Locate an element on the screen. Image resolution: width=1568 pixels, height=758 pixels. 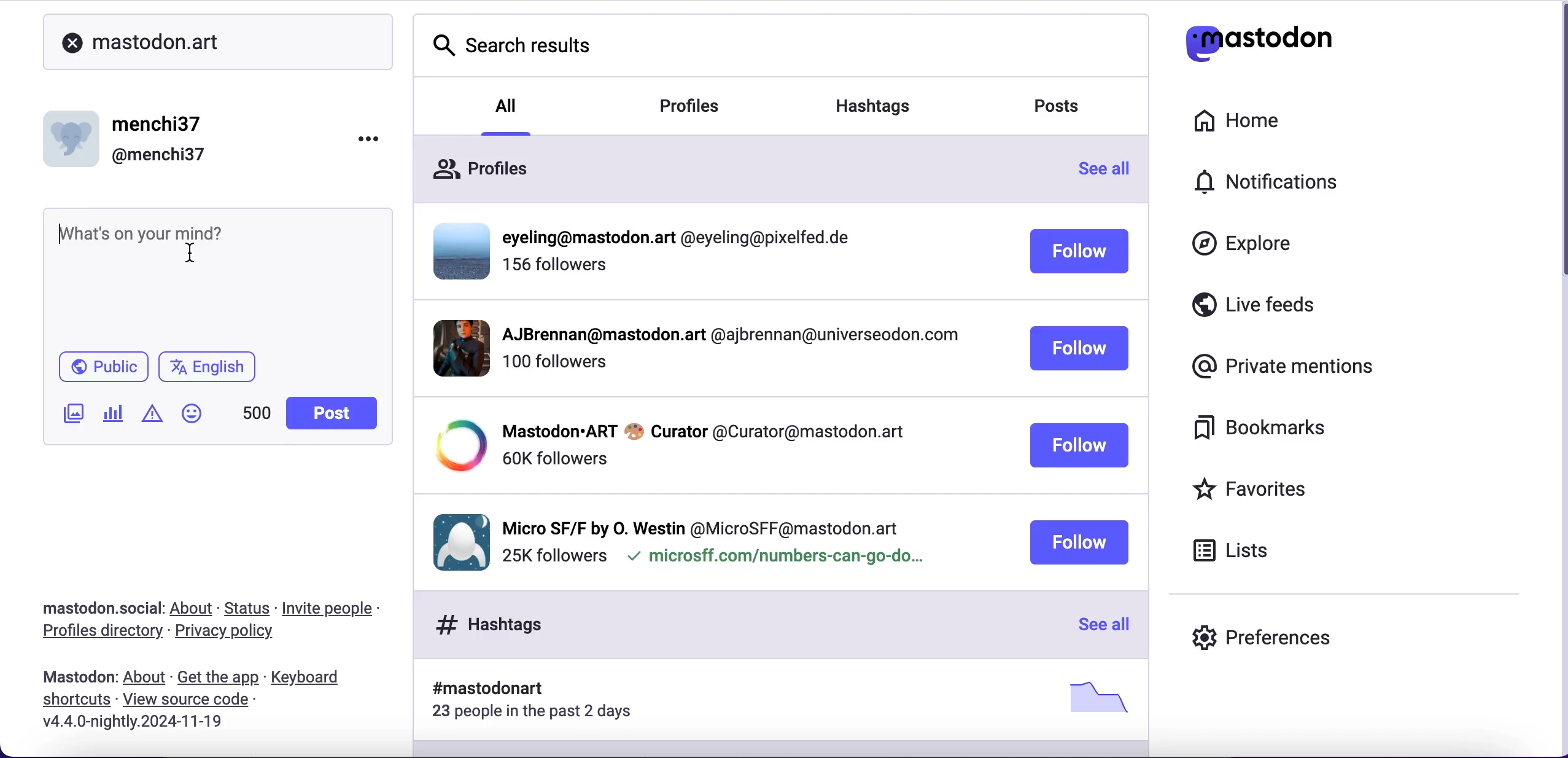
mastodon is located at coordinates (74, 677).